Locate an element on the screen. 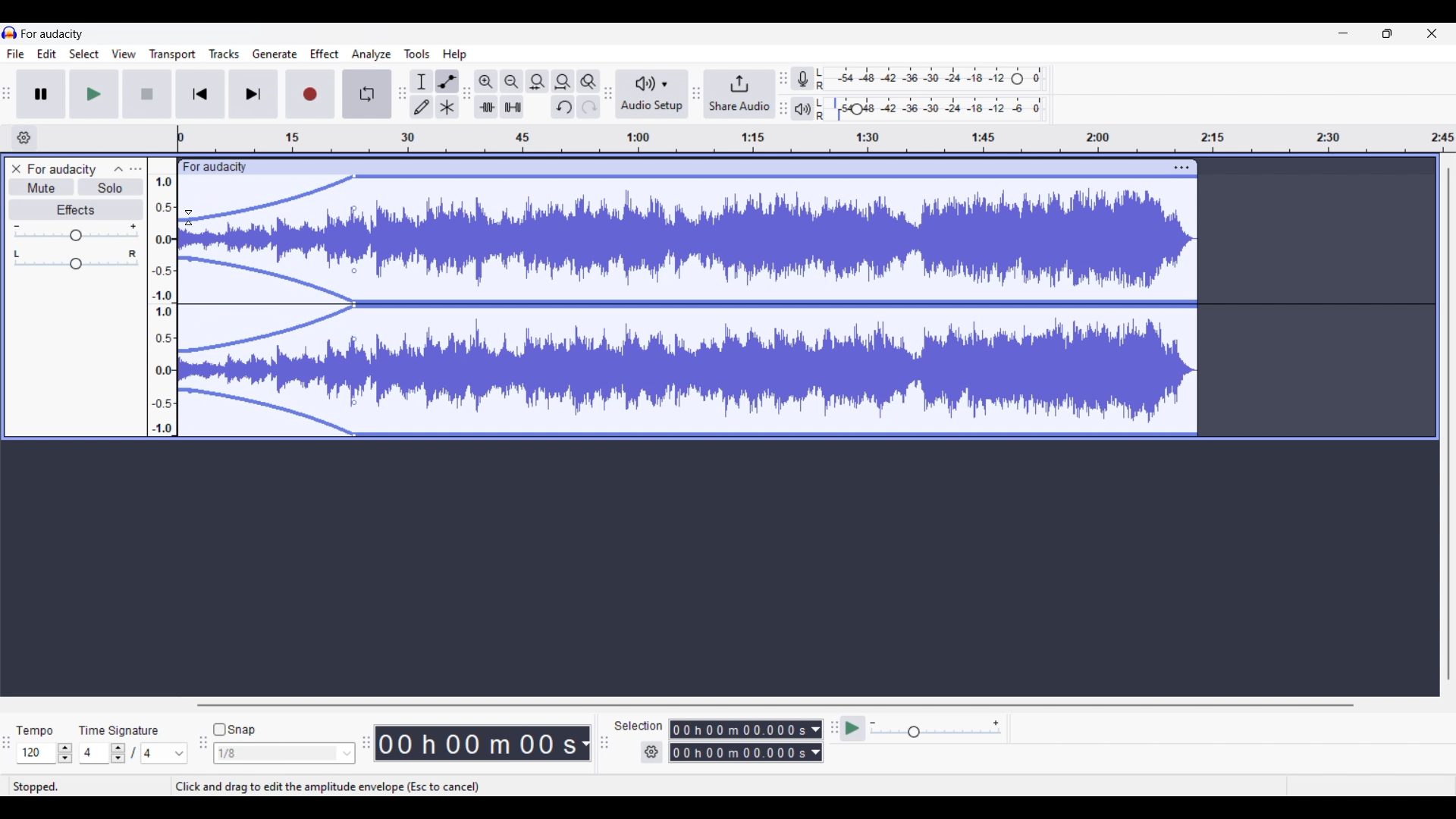 The image size is (1456, 819). Collapse is located at coordinates (119, 169).